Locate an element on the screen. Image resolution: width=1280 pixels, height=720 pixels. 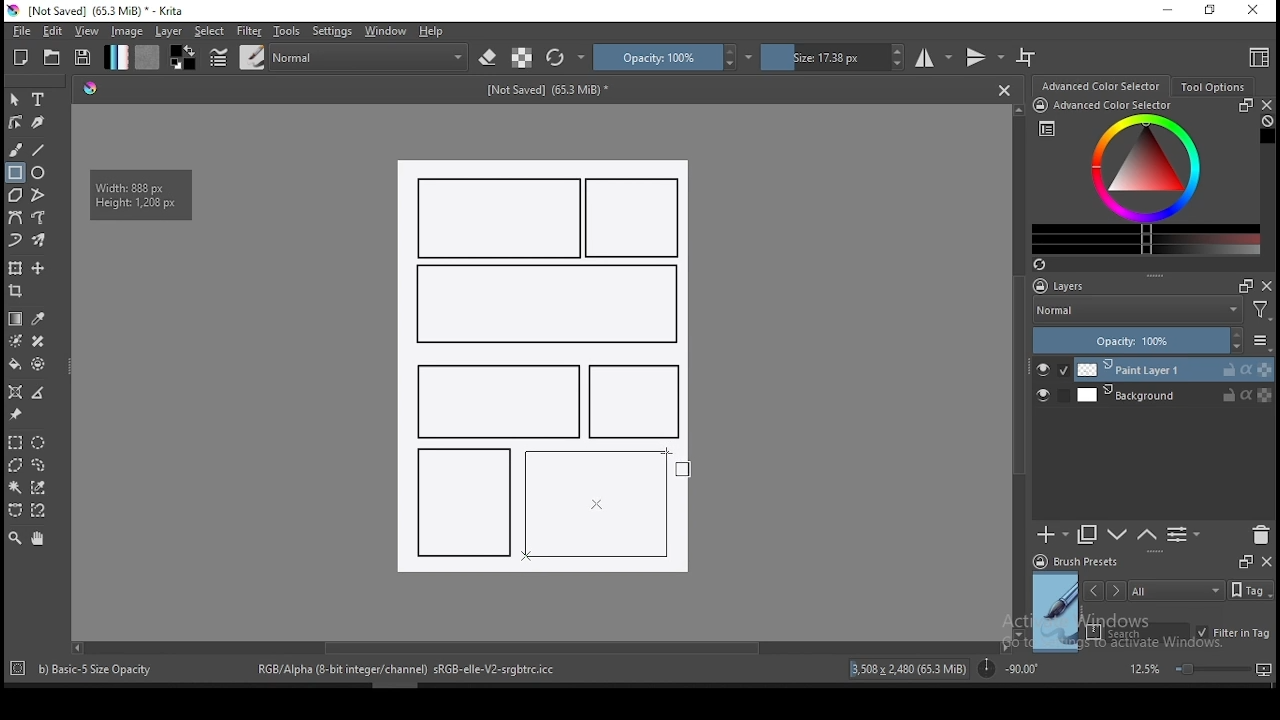
rectangular selection tool is located at coordinates (14, 442).